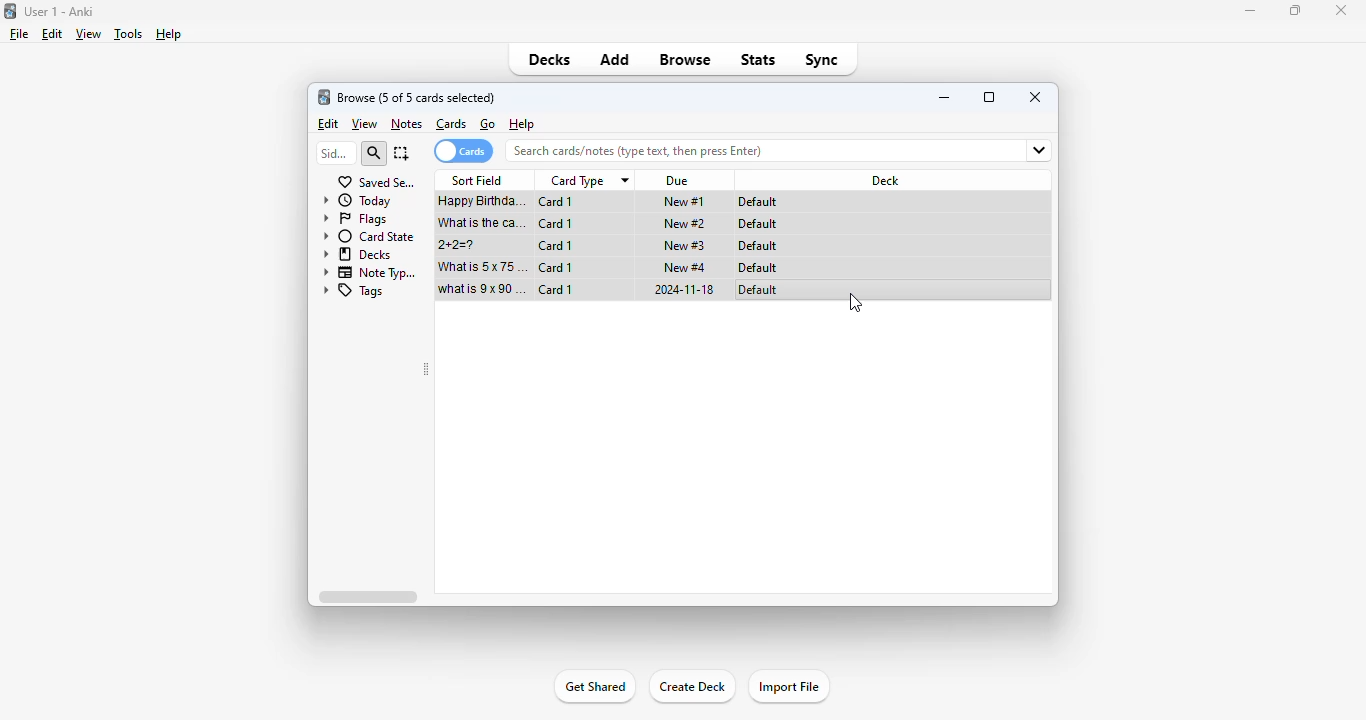 The image size is (1366, 720). What do you see at coordinates (480, 202) in the screenshot?
I see `happy birthday song!!!.mp3` at bounding box center [480, 202].